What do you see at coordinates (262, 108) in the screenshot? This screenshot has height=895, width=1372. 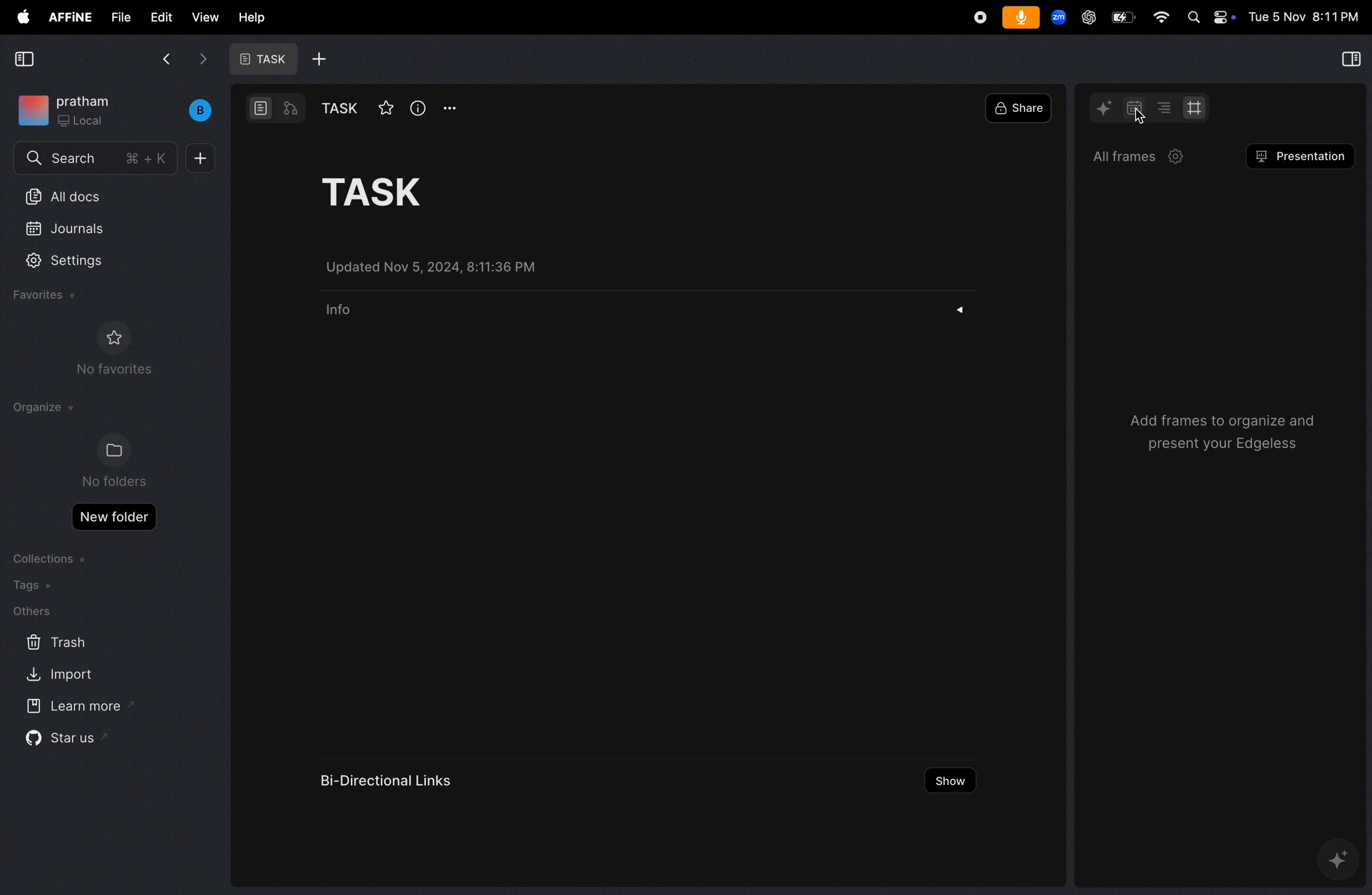 I see `doc` at bounding box center [262, 108].